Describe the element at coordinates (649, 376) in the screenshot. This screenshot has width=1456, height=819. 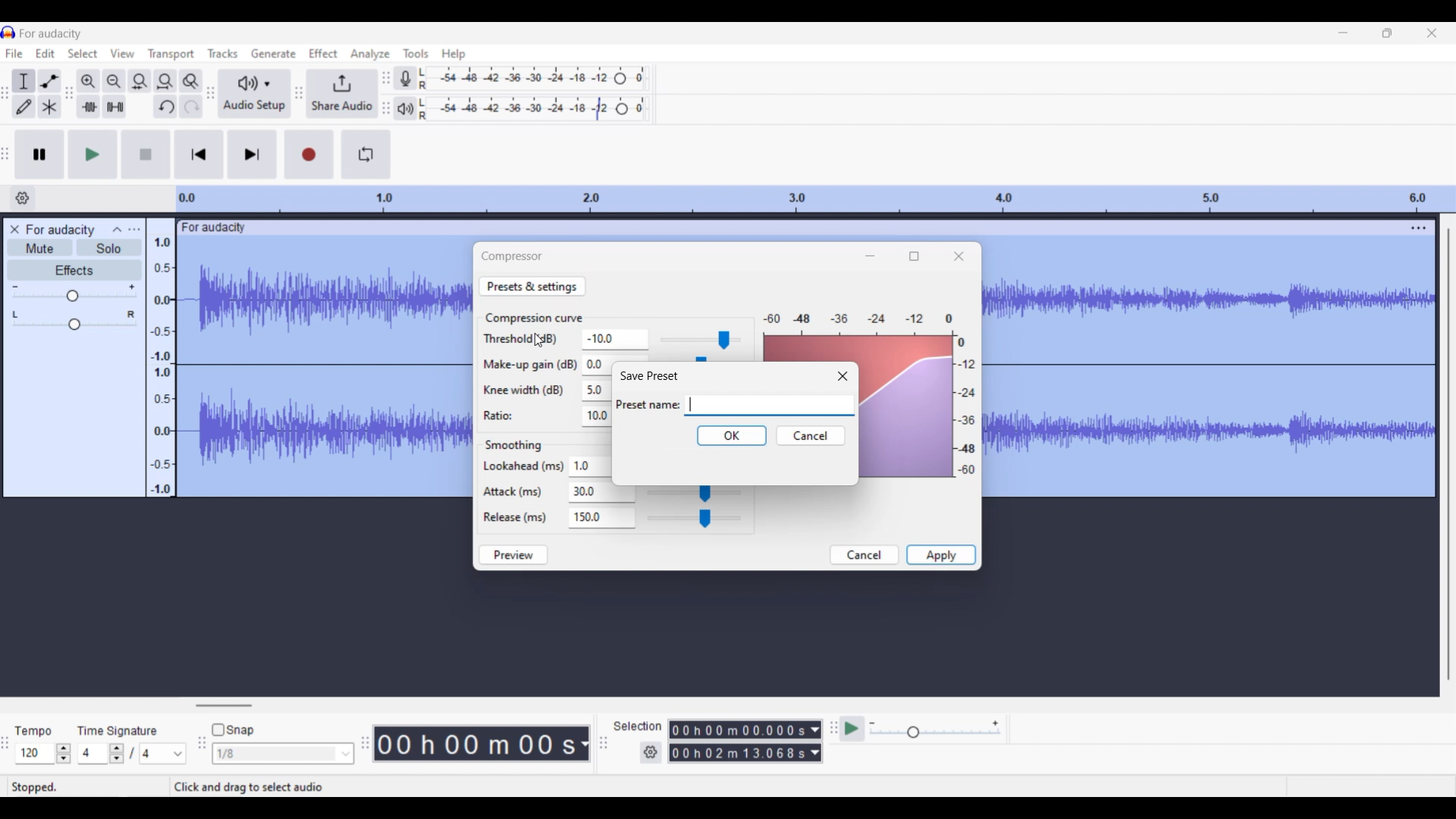
I see `Window name` at that location.